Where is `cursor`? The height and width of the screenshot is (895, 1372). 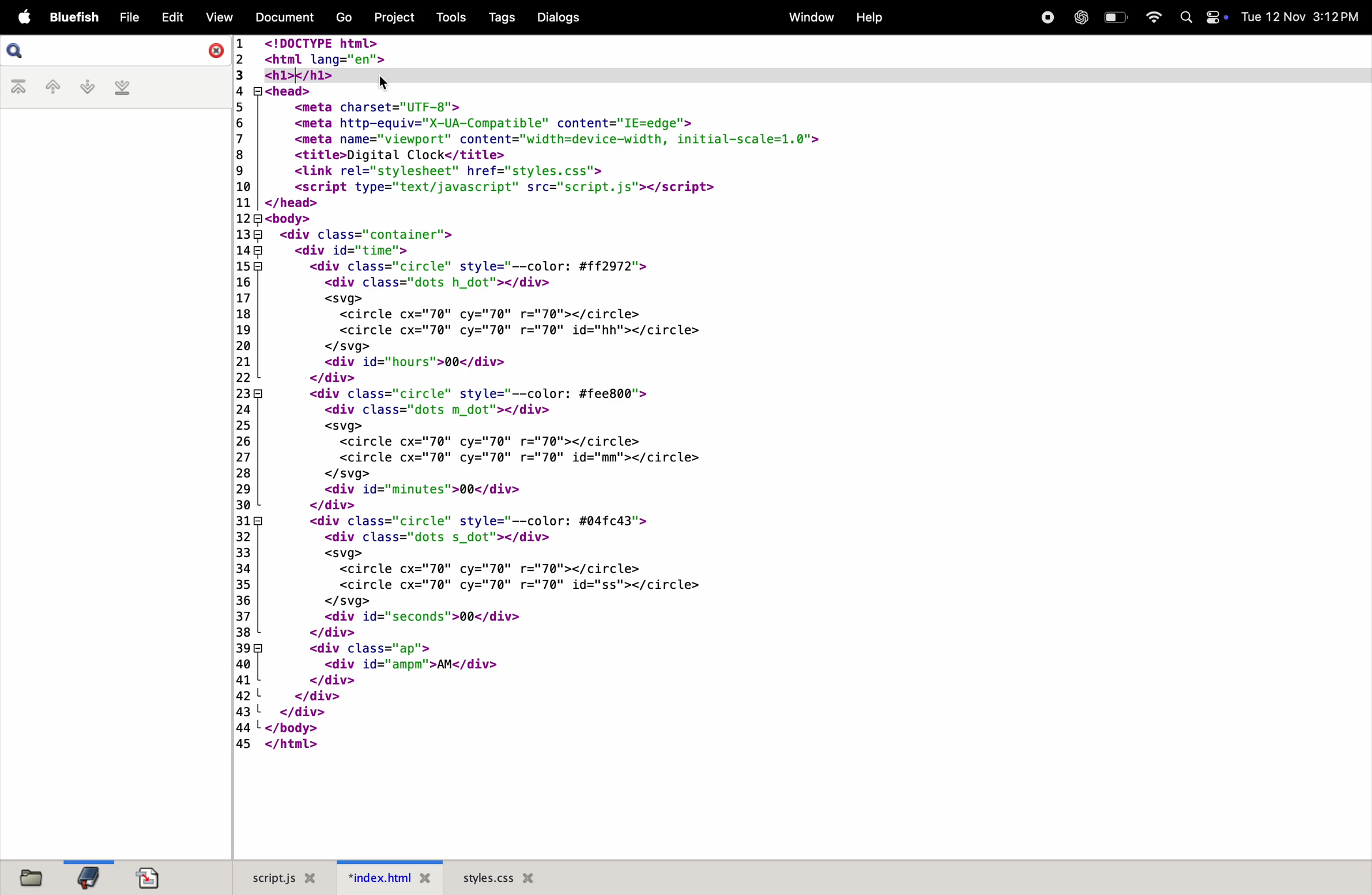
cursor is located at coordinates (383, 84).